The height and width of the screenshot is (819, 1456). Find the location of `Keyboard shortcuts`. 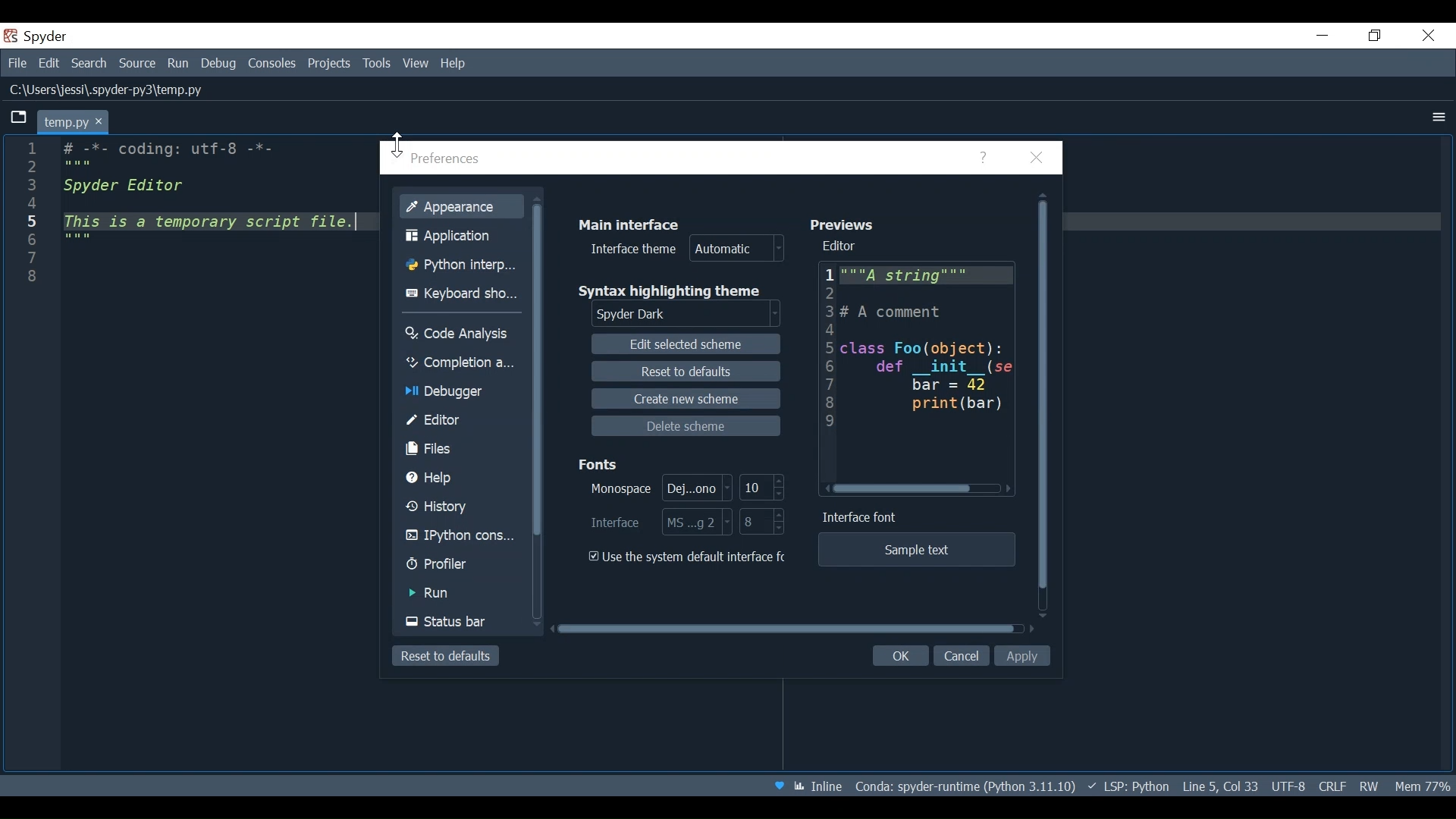

Keyboard shortcuts is located at coordinates (460, 295).